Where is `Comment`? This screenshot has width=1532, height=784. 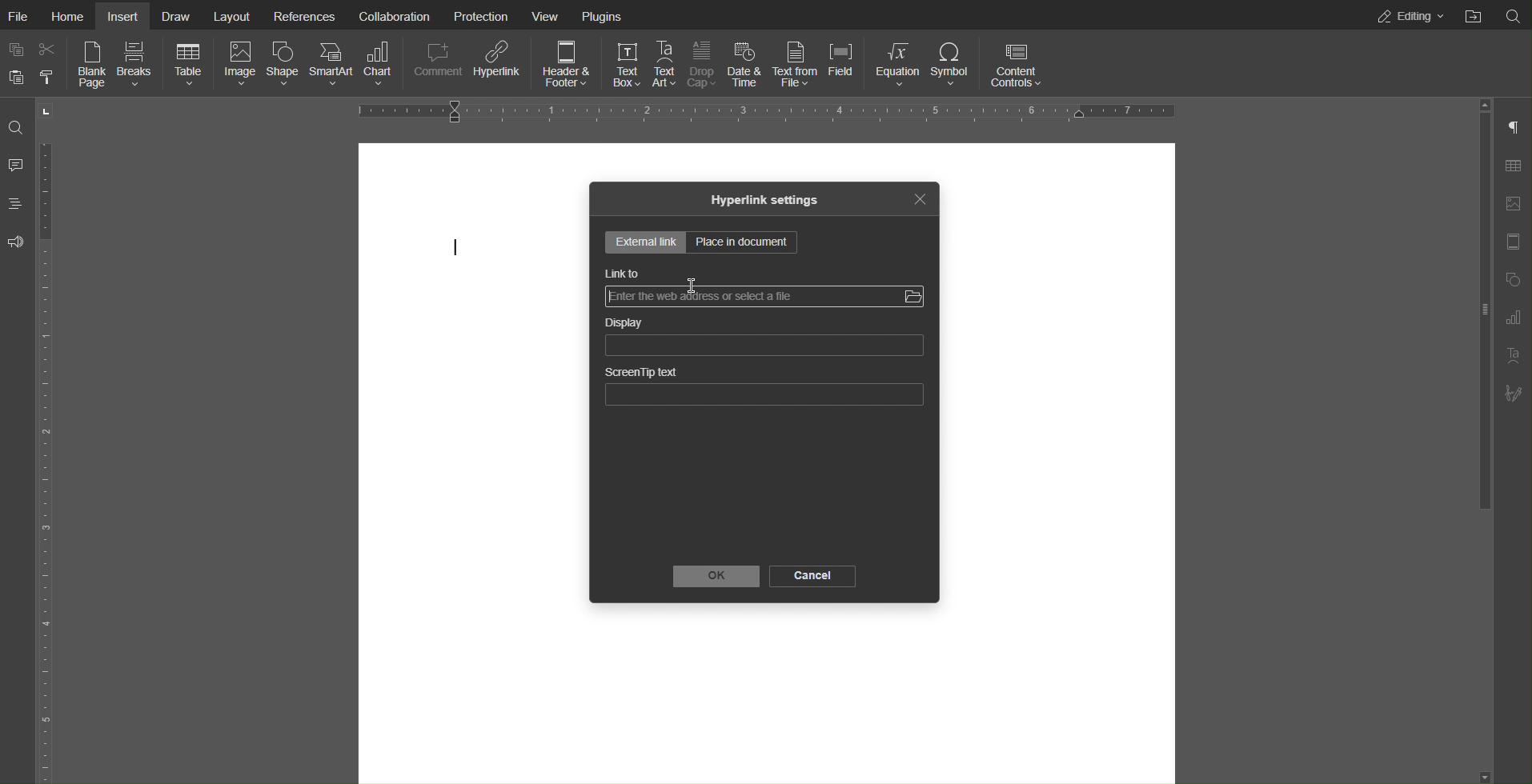 Comment is located at coordinates (15, 165).